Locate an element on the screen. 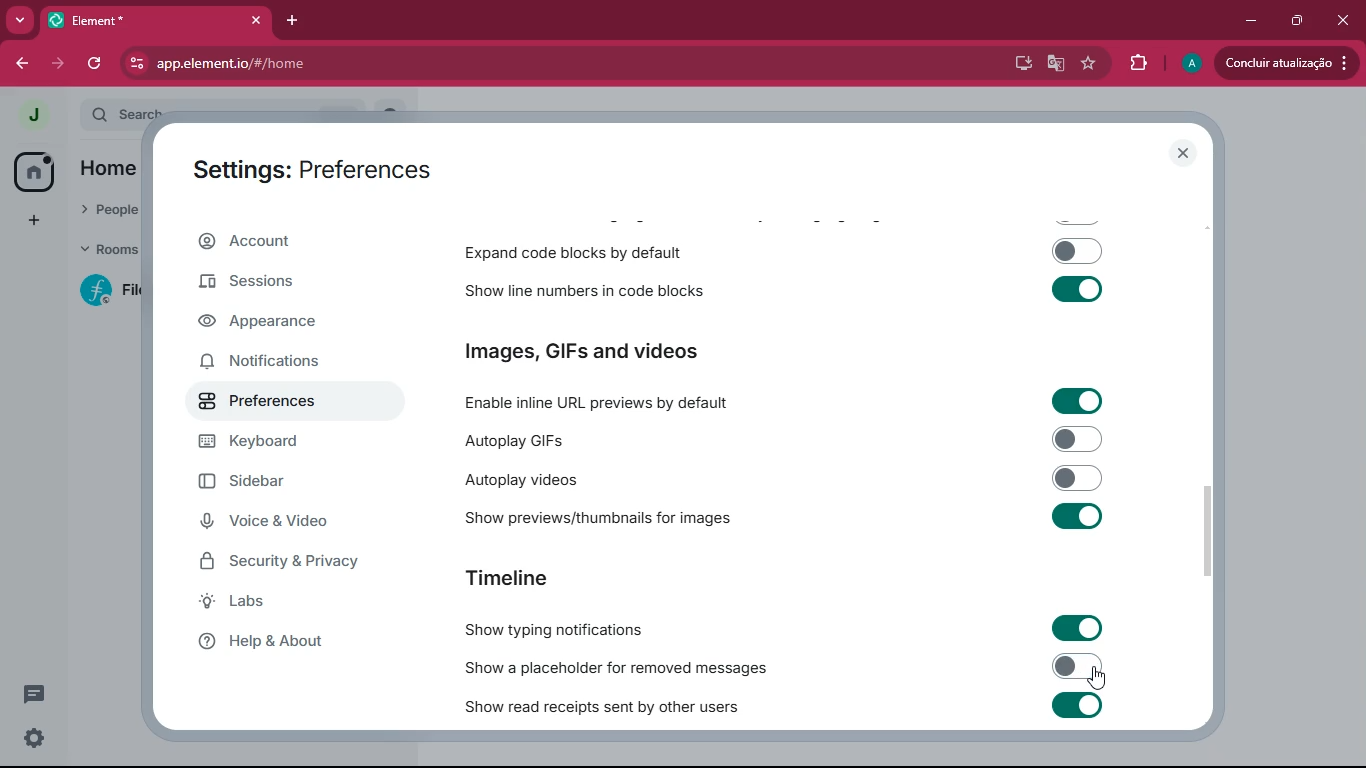 Image resolution: width=1366 pixels, height=768 pixels. home is located at coordinates (38, 170).